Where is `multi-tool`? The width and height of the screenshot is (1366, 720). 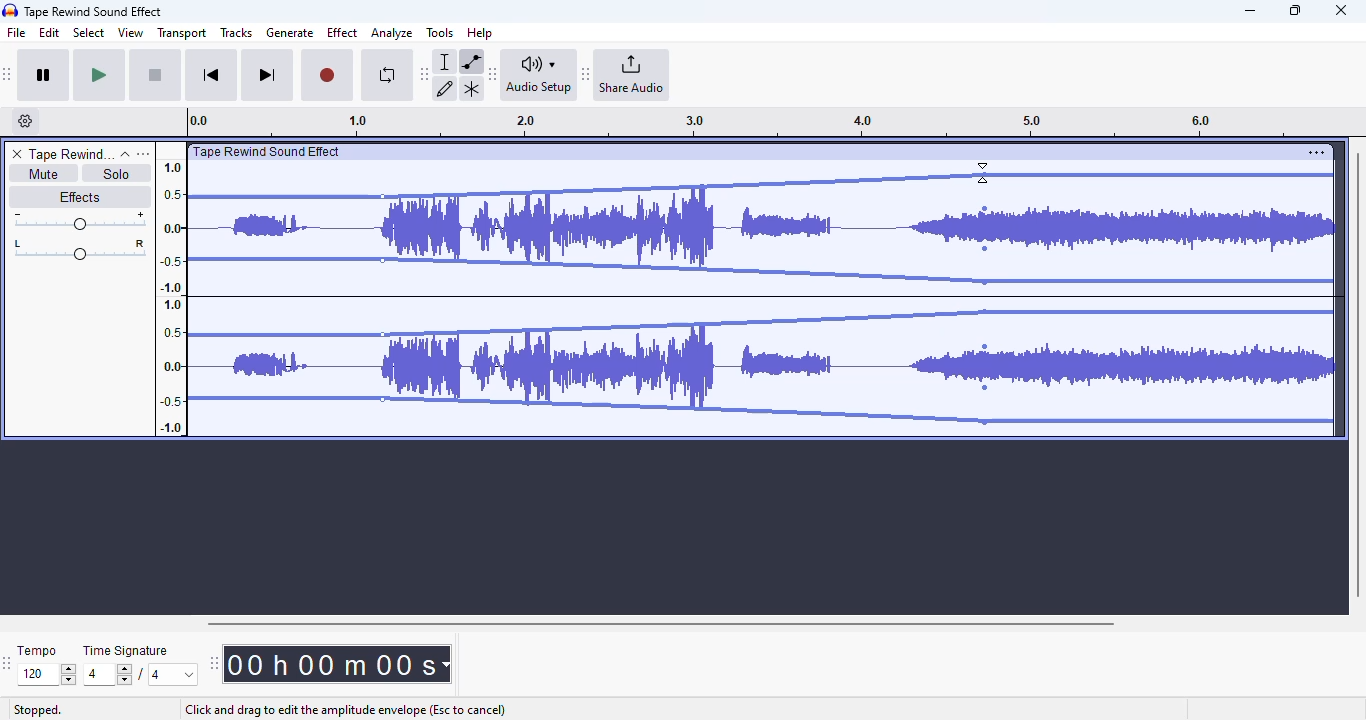 multi-tool is located at coordinates (471, 89).